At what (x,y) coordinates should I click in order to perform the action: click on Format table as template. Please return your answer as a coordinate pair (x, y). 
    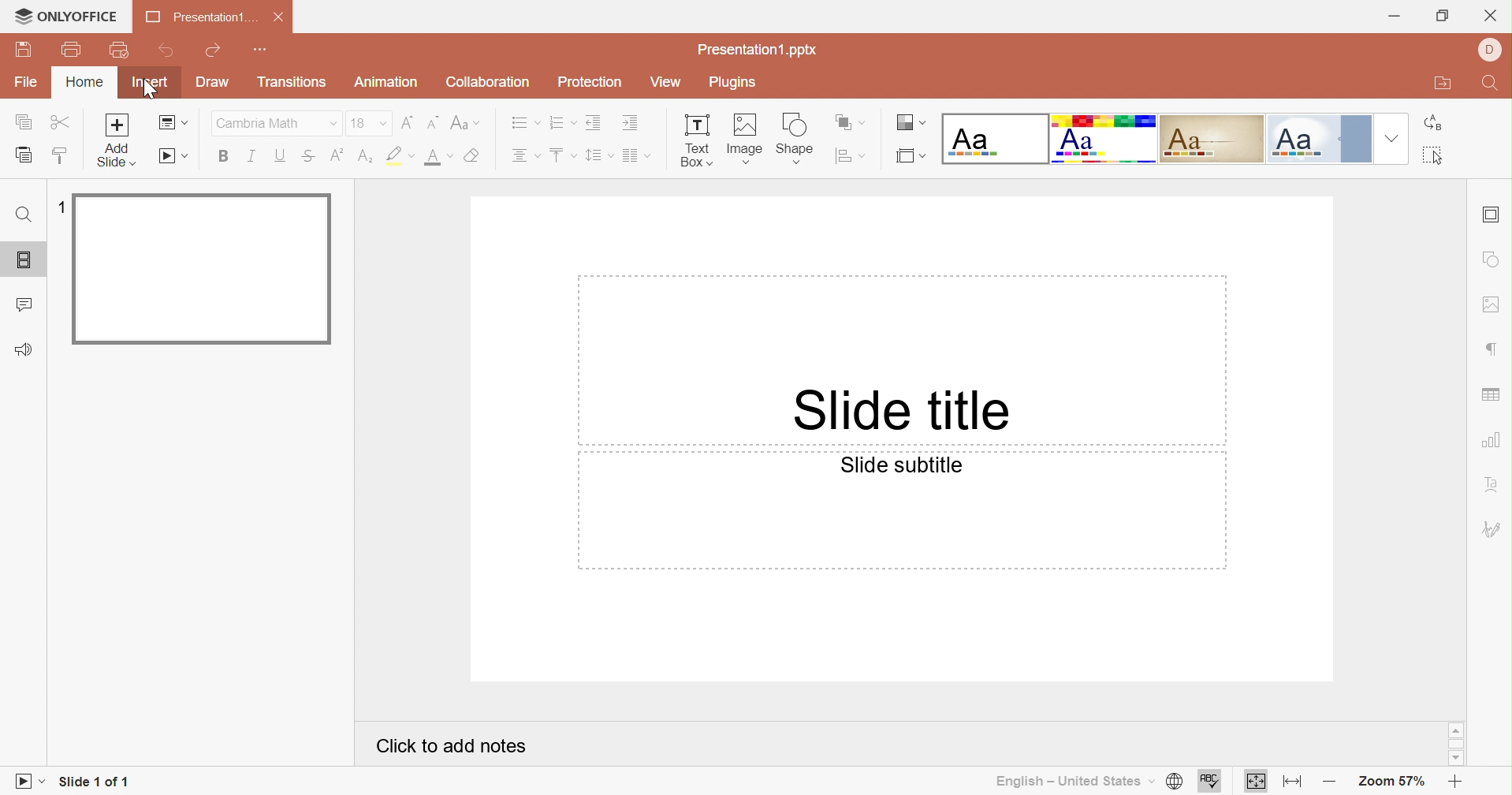
    Looking at the image, I should click on (910, 159).